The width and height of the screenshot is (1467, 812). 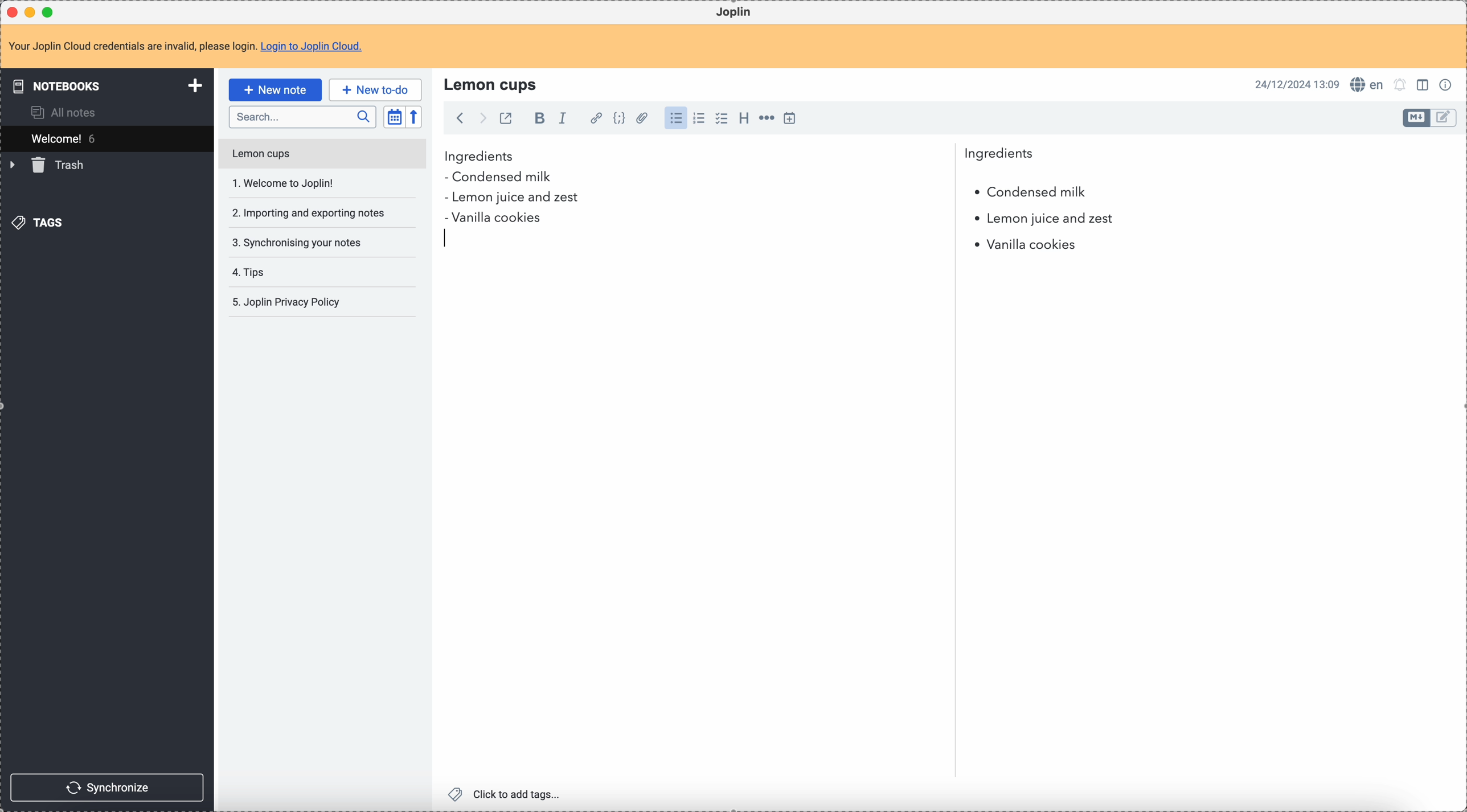 What do you see at coordinates (302, 117) in the screenshot?
I see `search bar` at bounding box center [302, 117].